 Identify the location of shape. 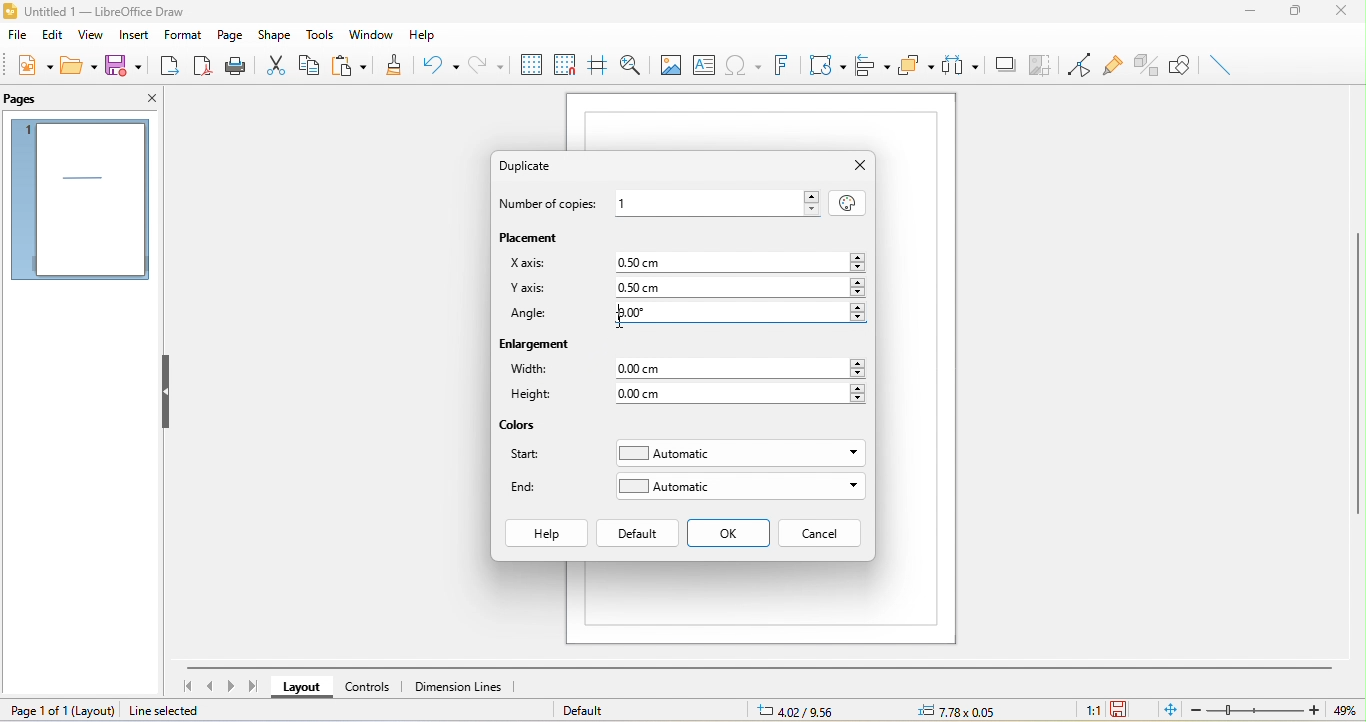
(278, 34).